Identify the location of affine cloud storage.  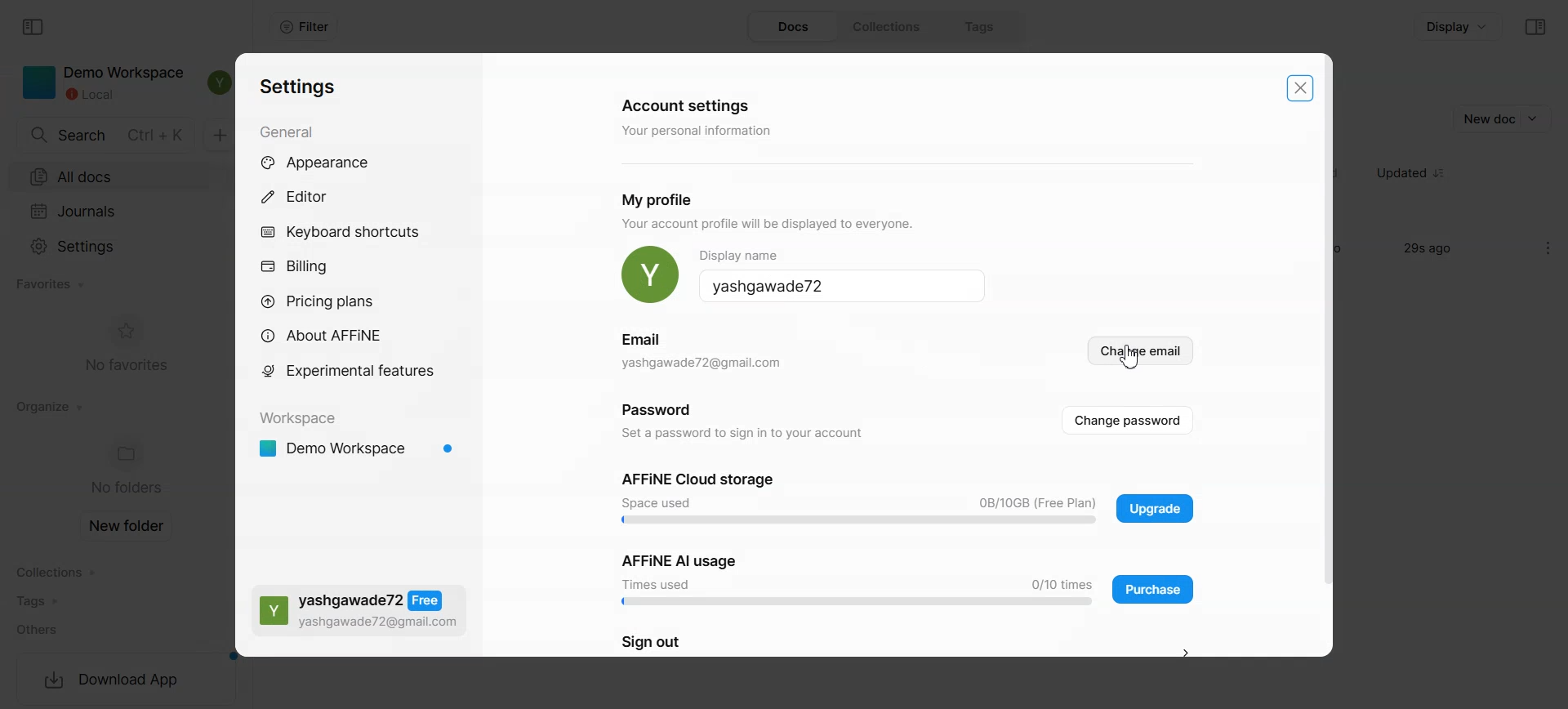
(697, 480).